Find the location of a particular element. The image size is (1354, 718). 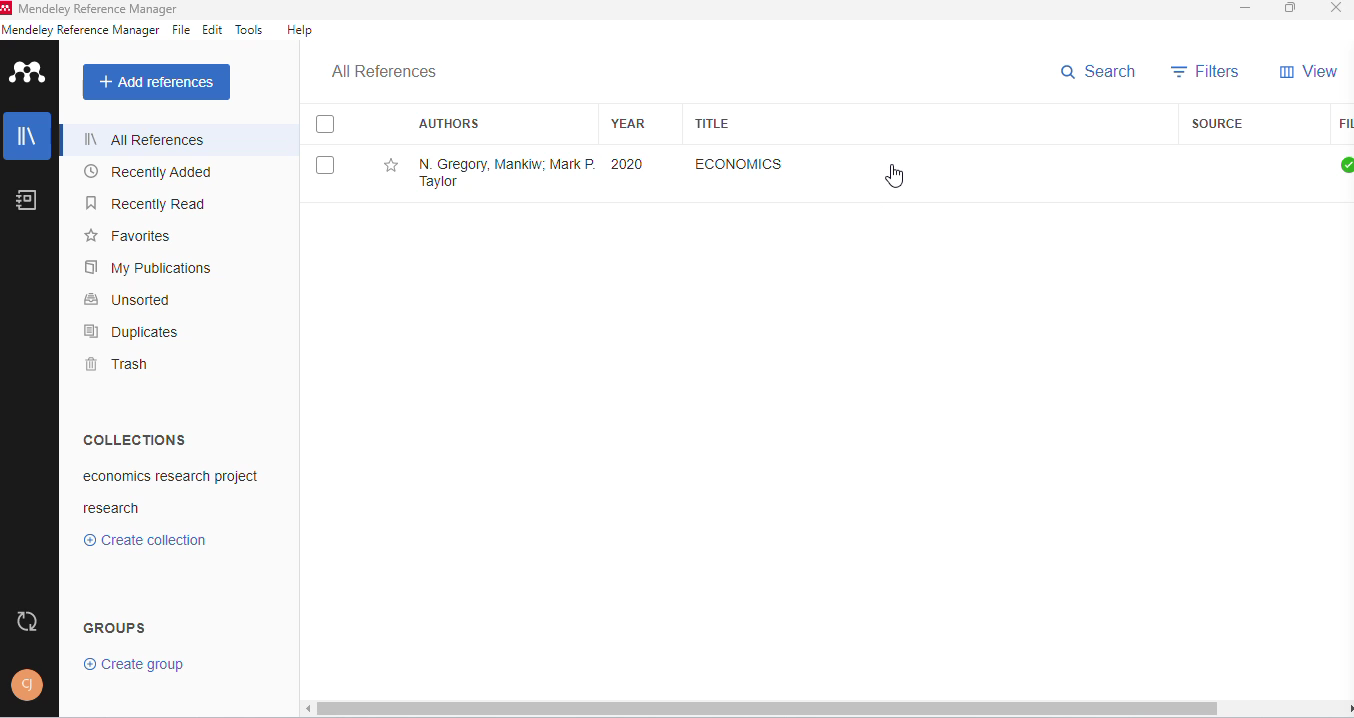

source is located at coordinates (1217, 123).